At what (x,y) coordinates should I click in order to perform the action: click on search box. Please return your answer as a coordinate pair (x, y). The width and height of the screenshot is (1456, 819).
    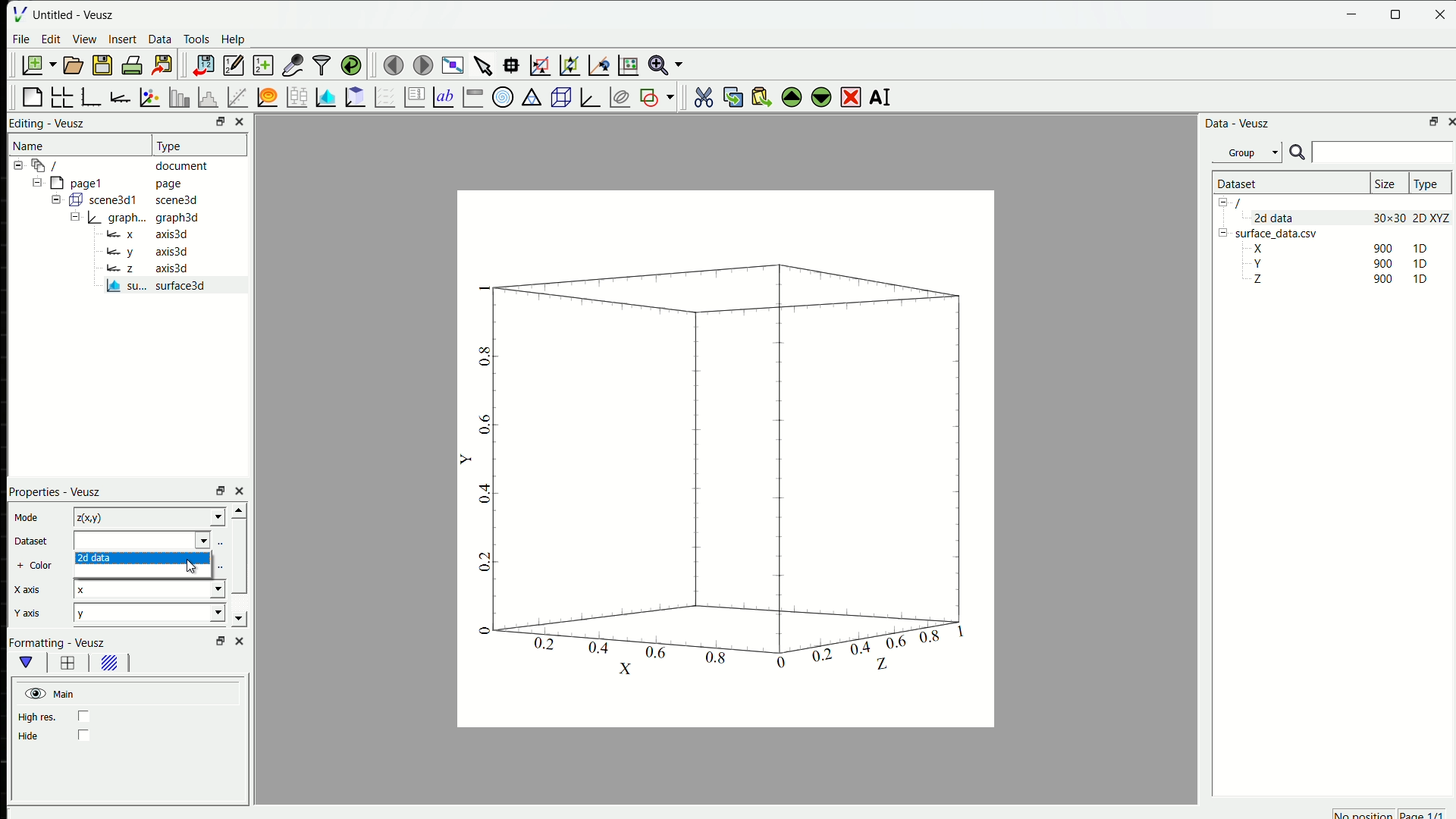
    Looking at the image, I should click on (1382, 152).